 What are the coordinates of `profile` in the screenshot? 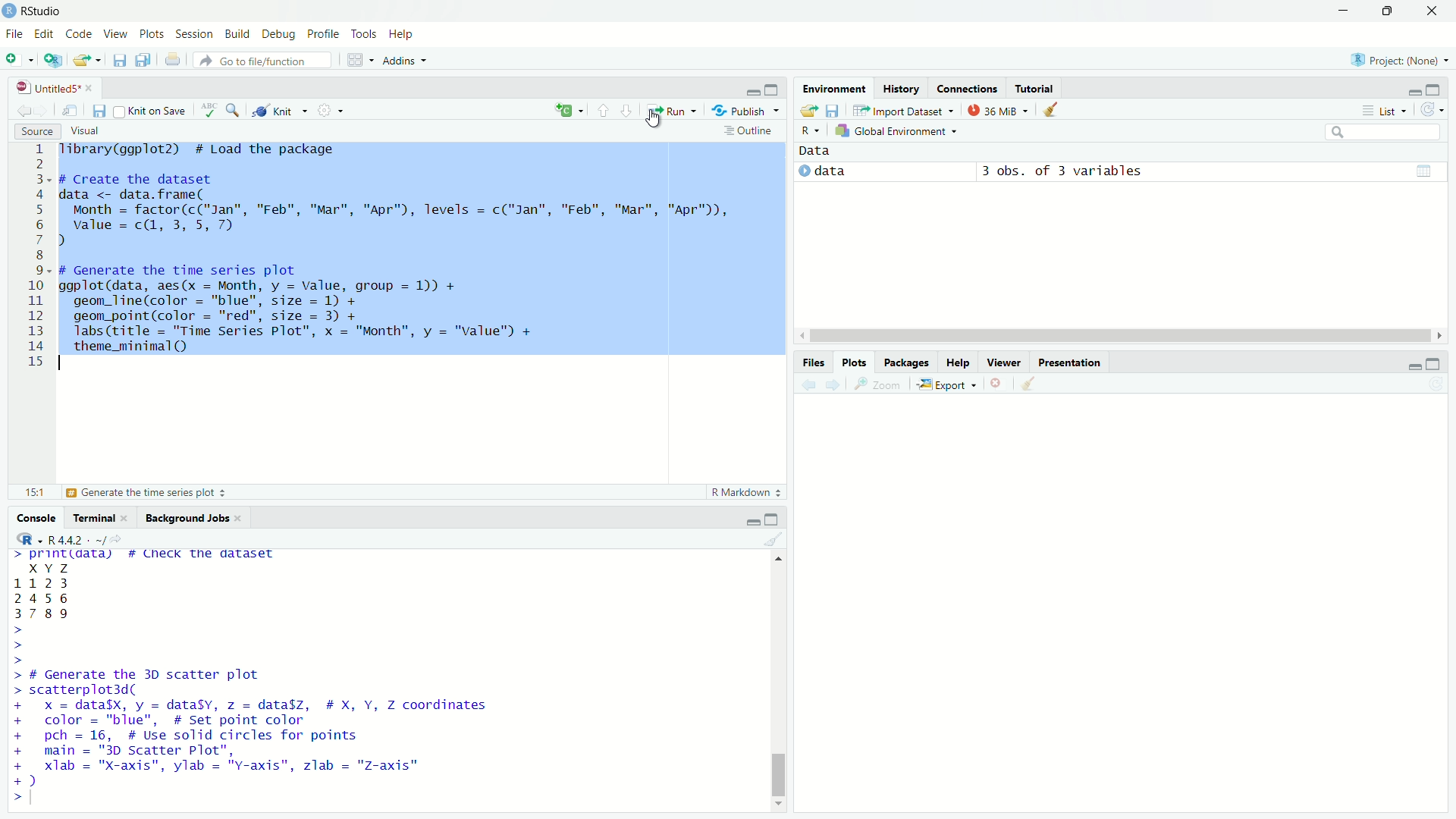 It's located at (325, 34).